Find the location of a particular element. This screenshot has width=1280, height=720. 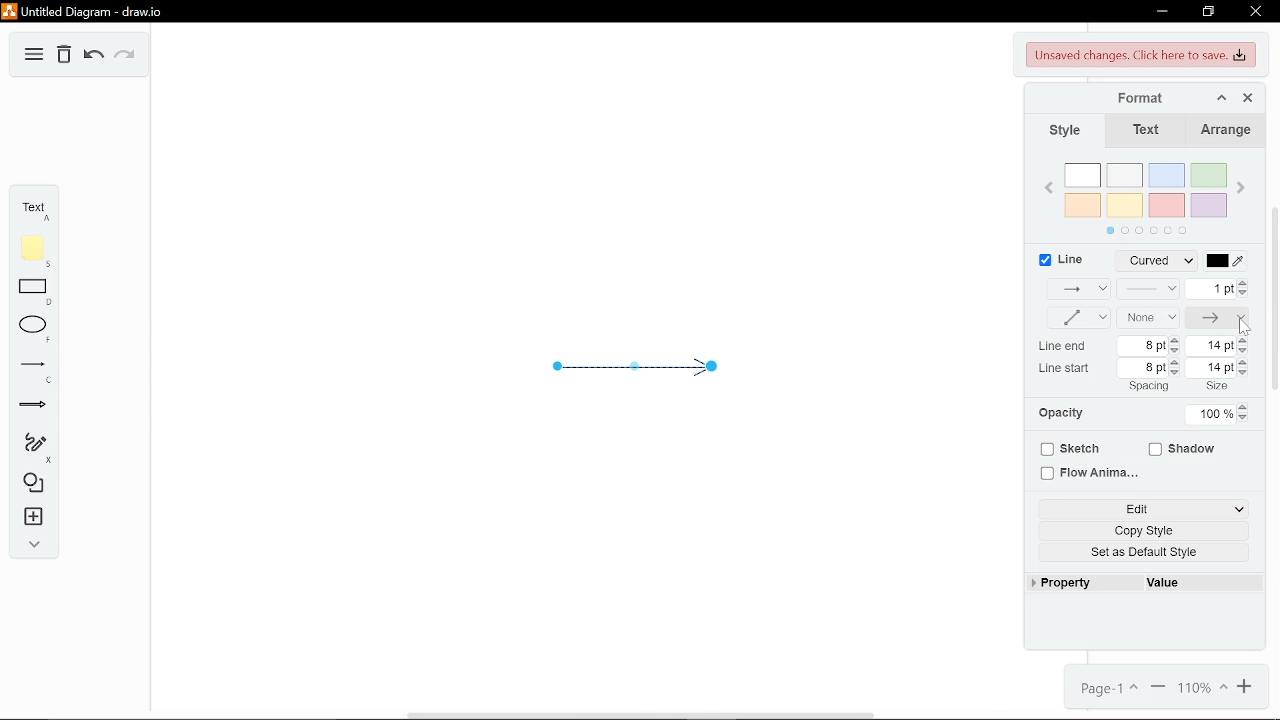

Decrease line start size is located at coordinates (1246, 372).